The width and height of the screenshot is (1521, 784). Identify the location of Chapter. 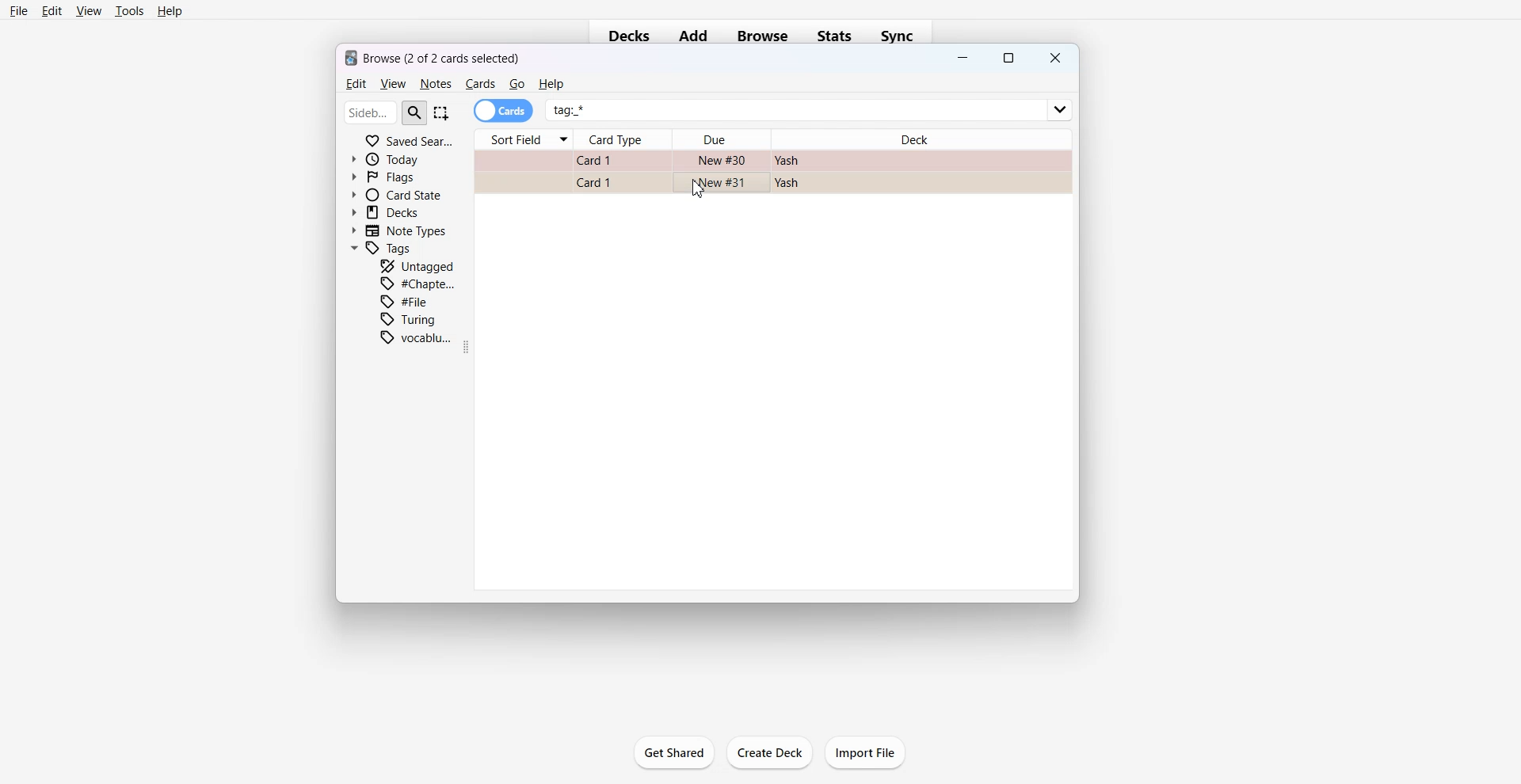
(419, 283).